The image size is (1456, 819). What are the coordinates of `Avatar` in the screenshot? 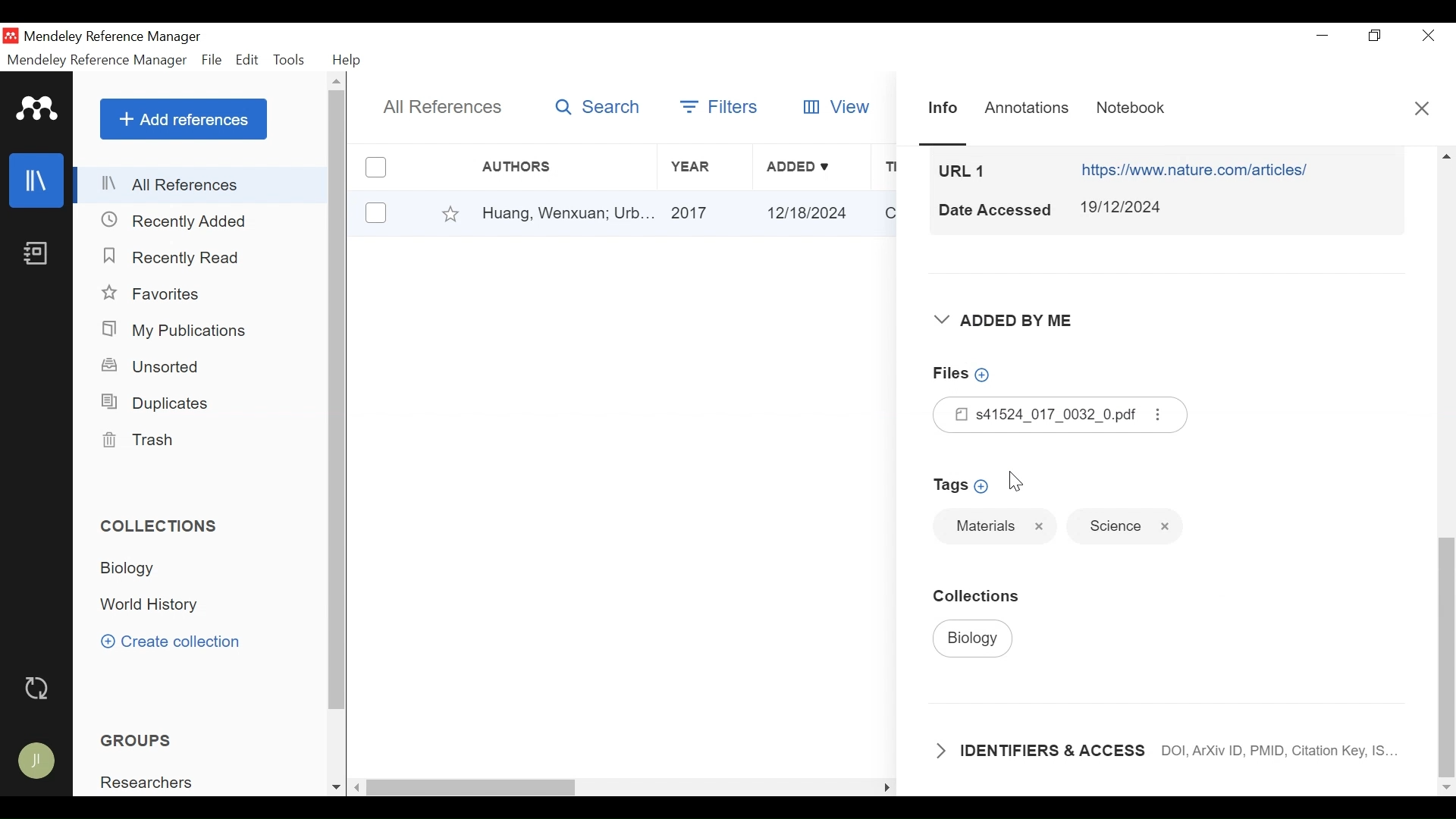 It's located at (36, 761).